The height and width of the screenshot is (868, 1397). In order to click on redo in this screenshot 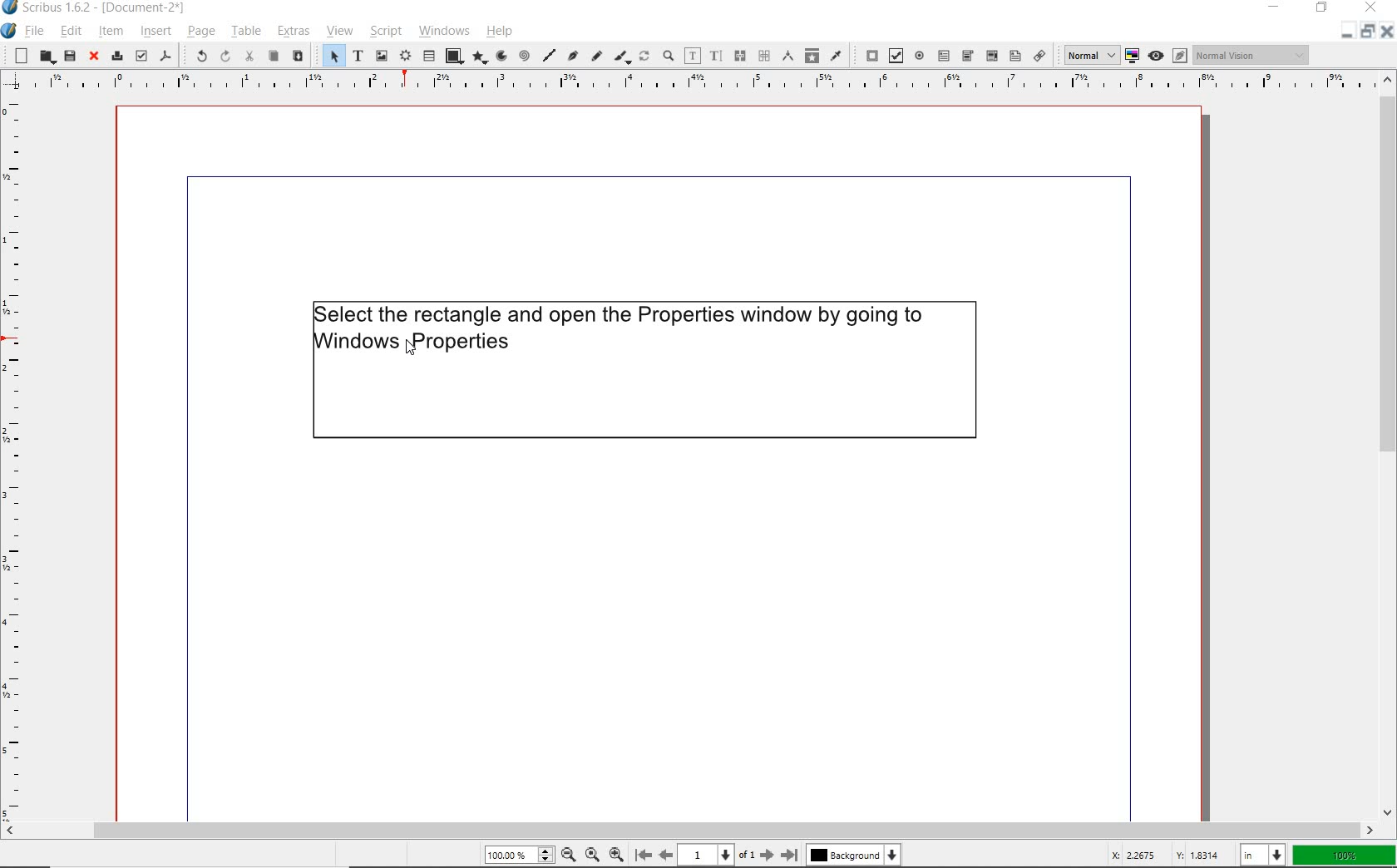, I will do `click(224, 57)`.